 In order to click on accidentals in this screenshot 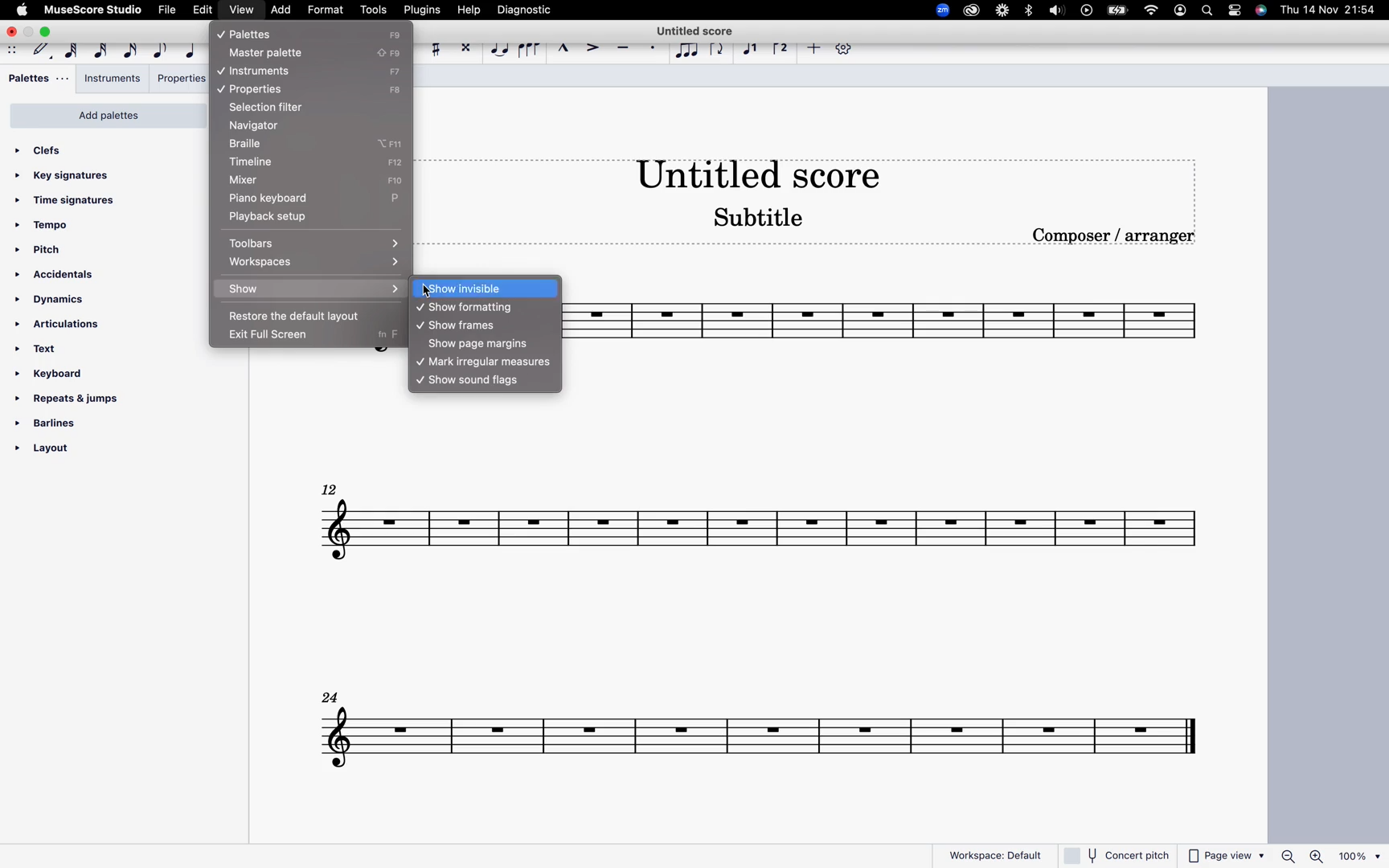, I will do `click(60, 274)`.